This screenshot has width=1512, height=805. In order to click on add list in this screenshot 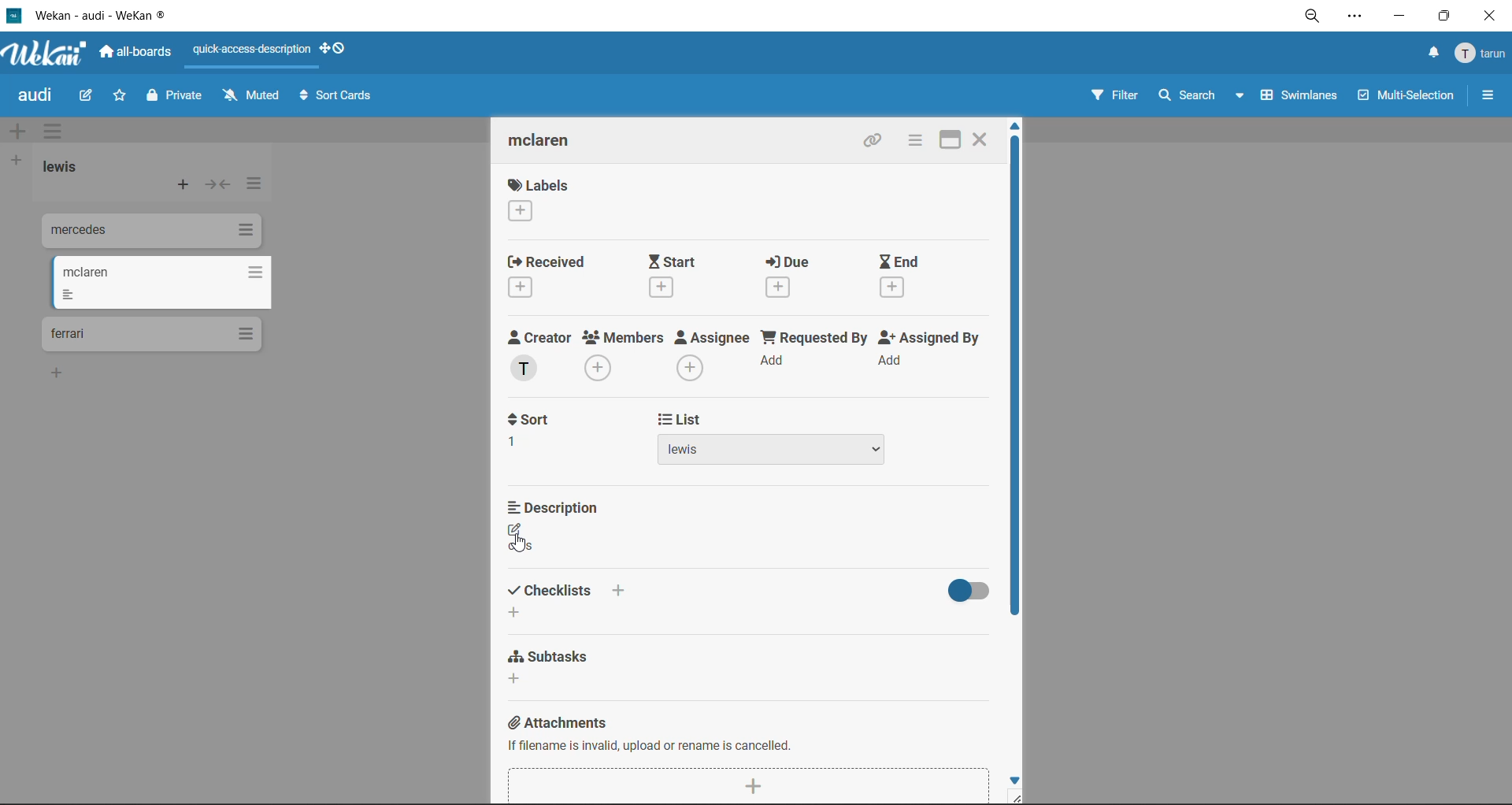, I will do `click(15, 161)`.